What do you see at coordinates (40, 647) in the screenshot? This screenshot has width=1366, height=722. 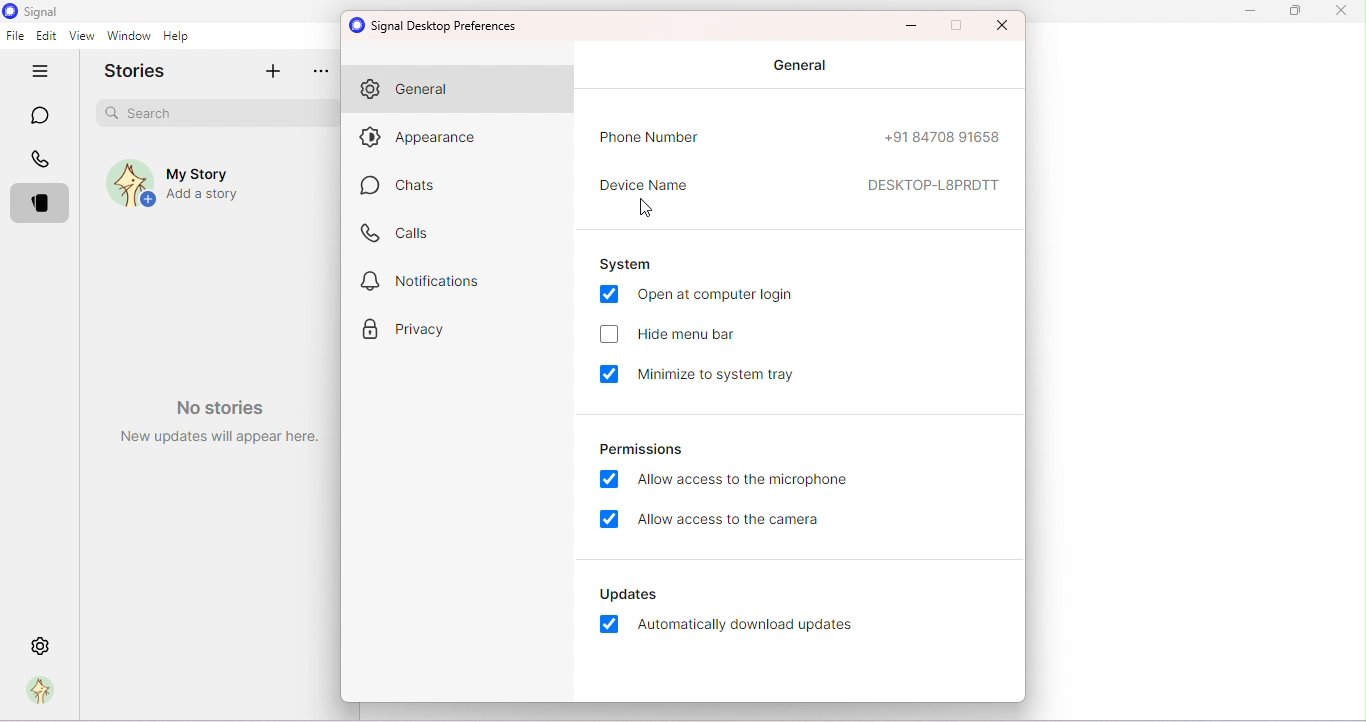 I see `Settings` at bounding box center [40, 647].